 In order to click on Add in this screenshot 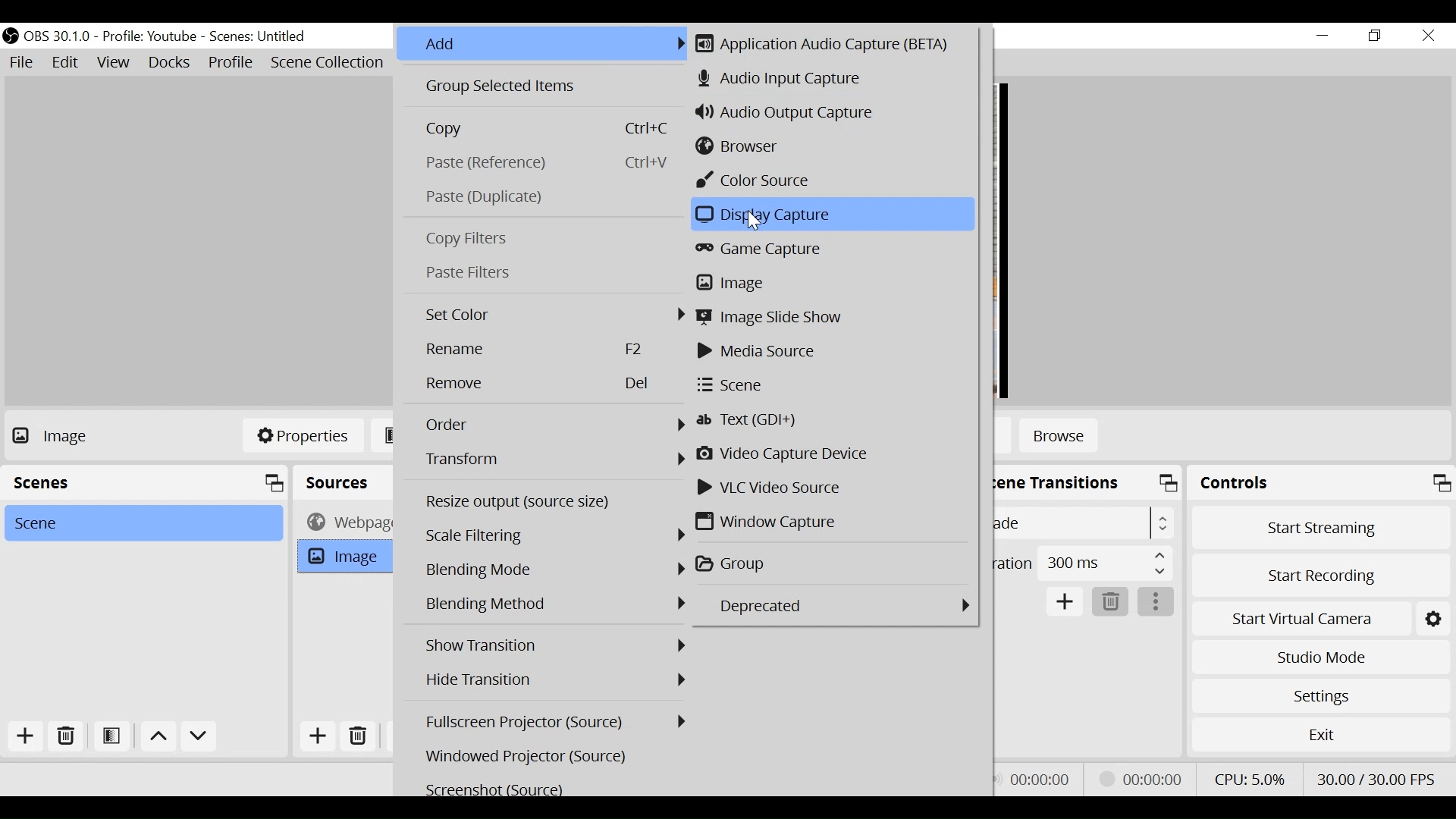, I will do `click(543, 45)`.